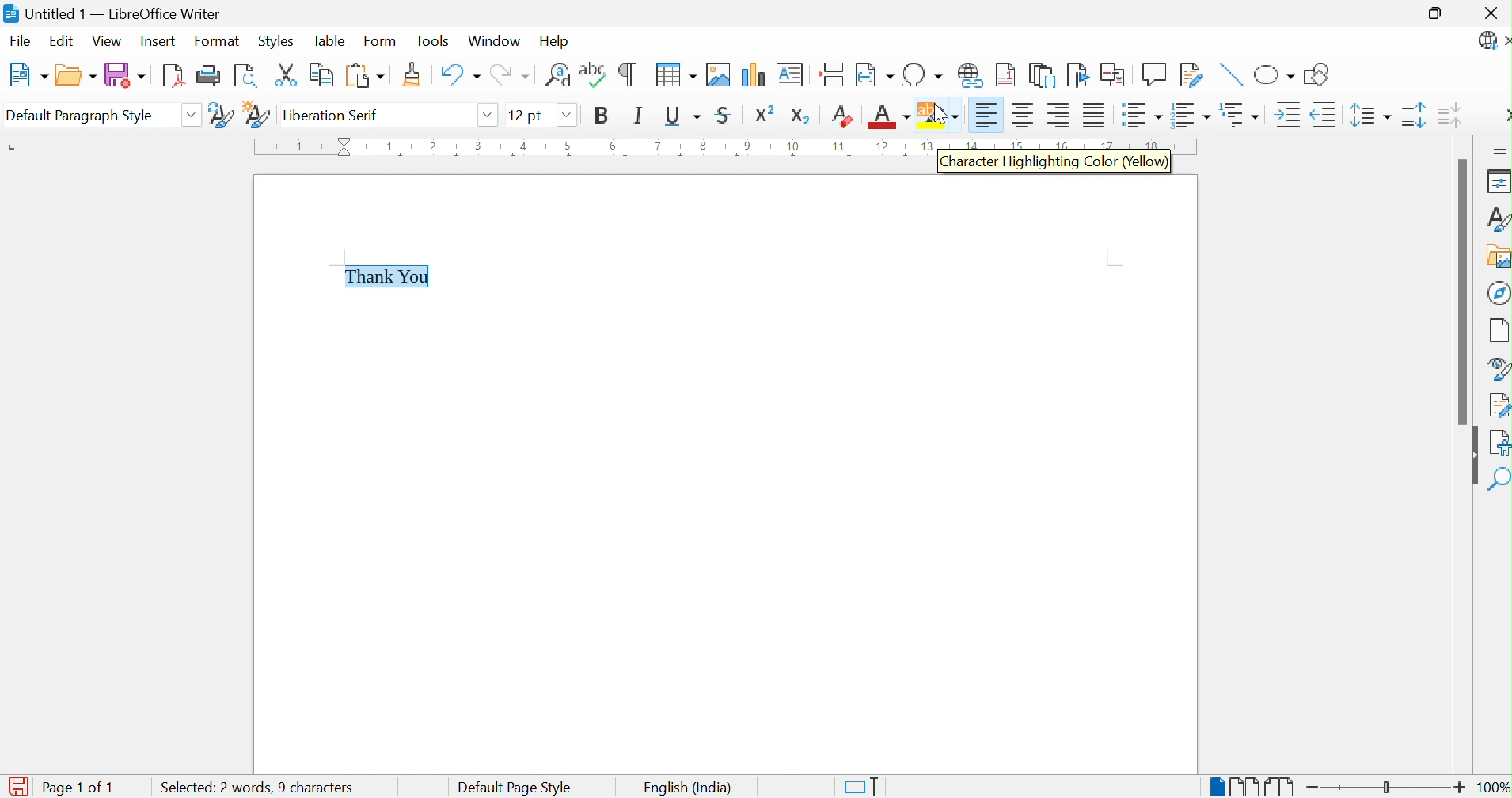 This screenshot has height=798, width=1512. Describe the element at coordinates (1096, 114) in the screenshot. I see `Justified` at that location.